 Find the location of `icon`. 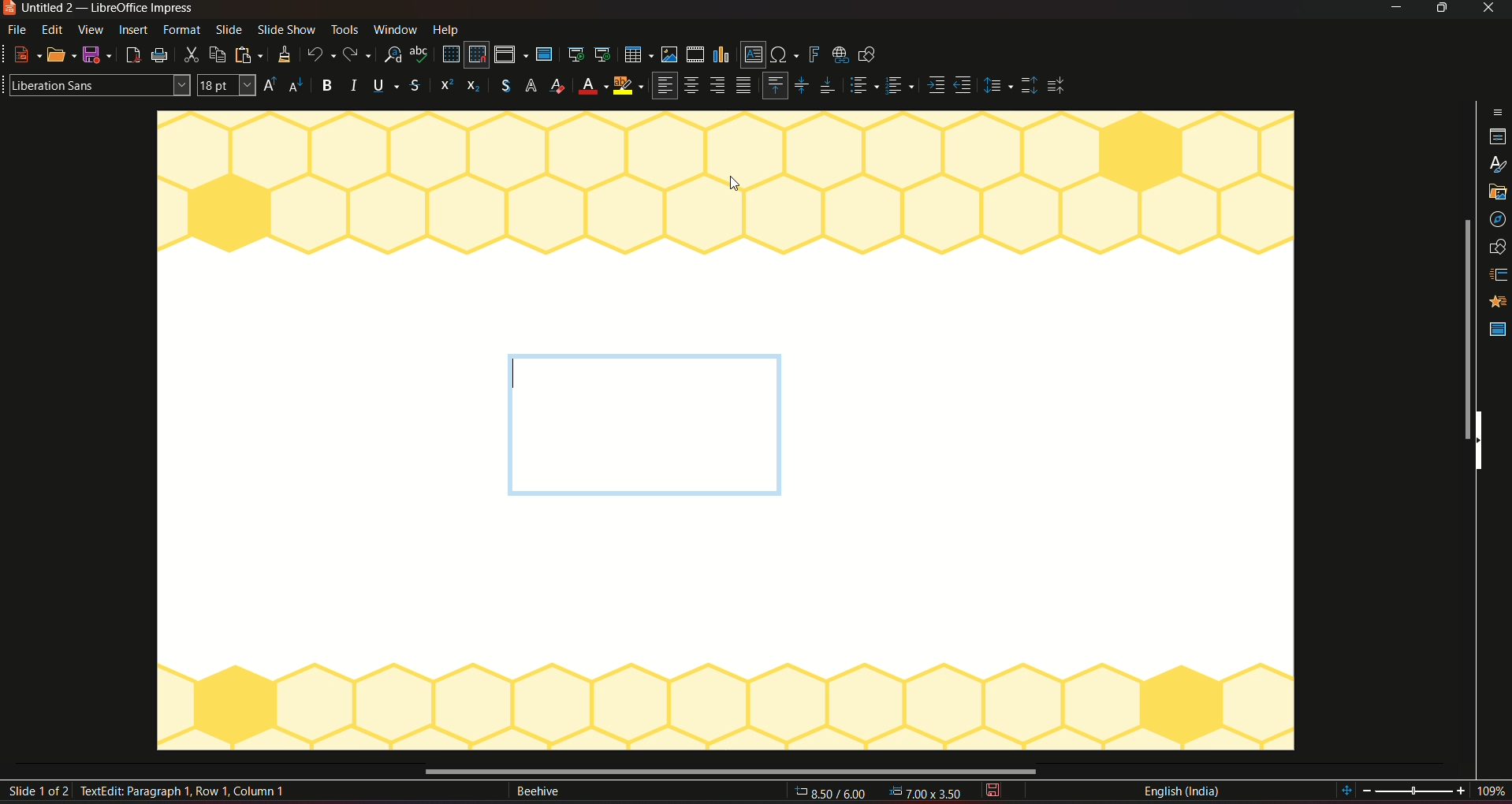

icon is located at coordinates (472, 87).